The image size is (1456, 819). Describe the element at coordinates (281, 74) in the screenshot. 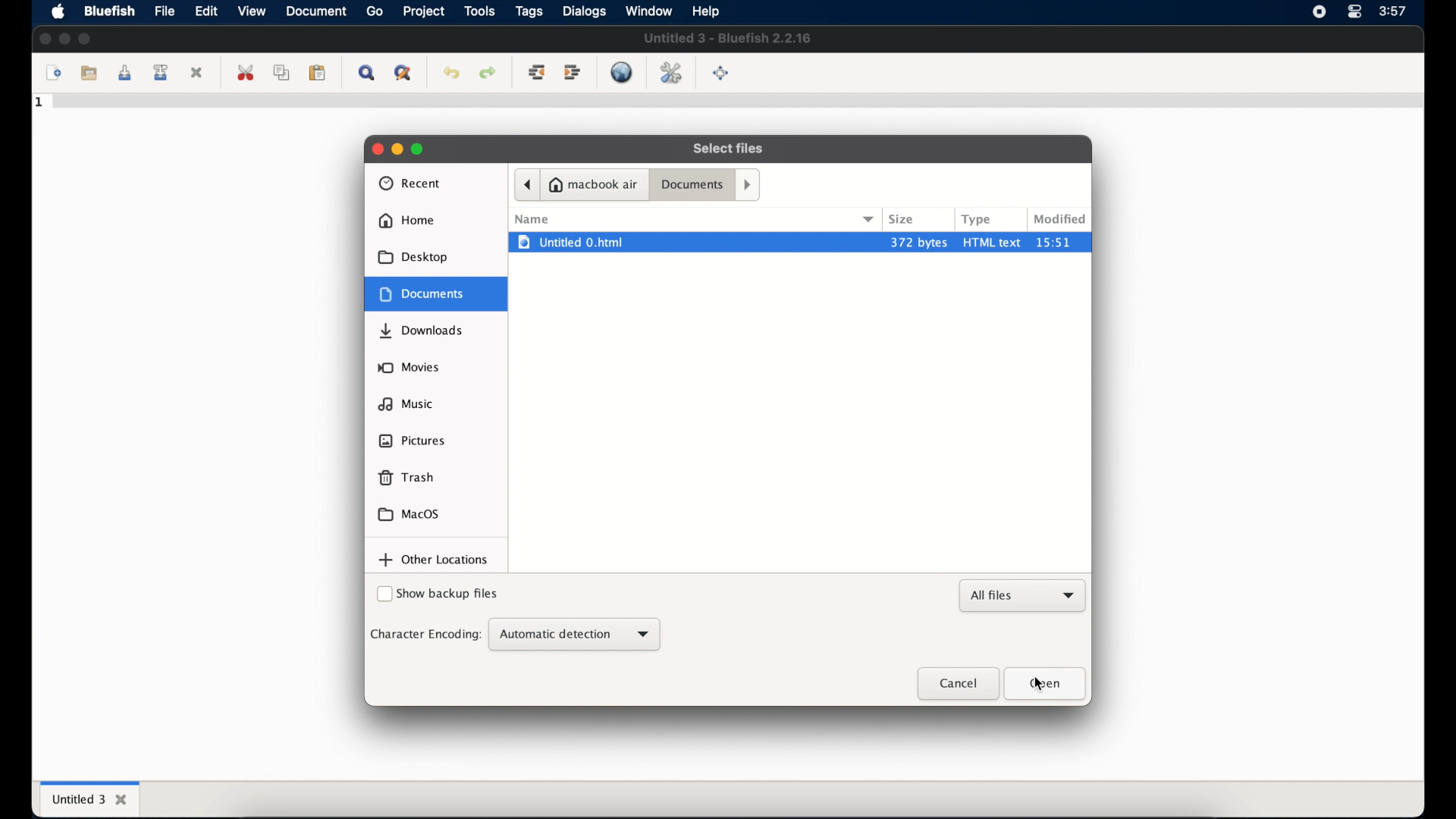

I see `copy` at that location.